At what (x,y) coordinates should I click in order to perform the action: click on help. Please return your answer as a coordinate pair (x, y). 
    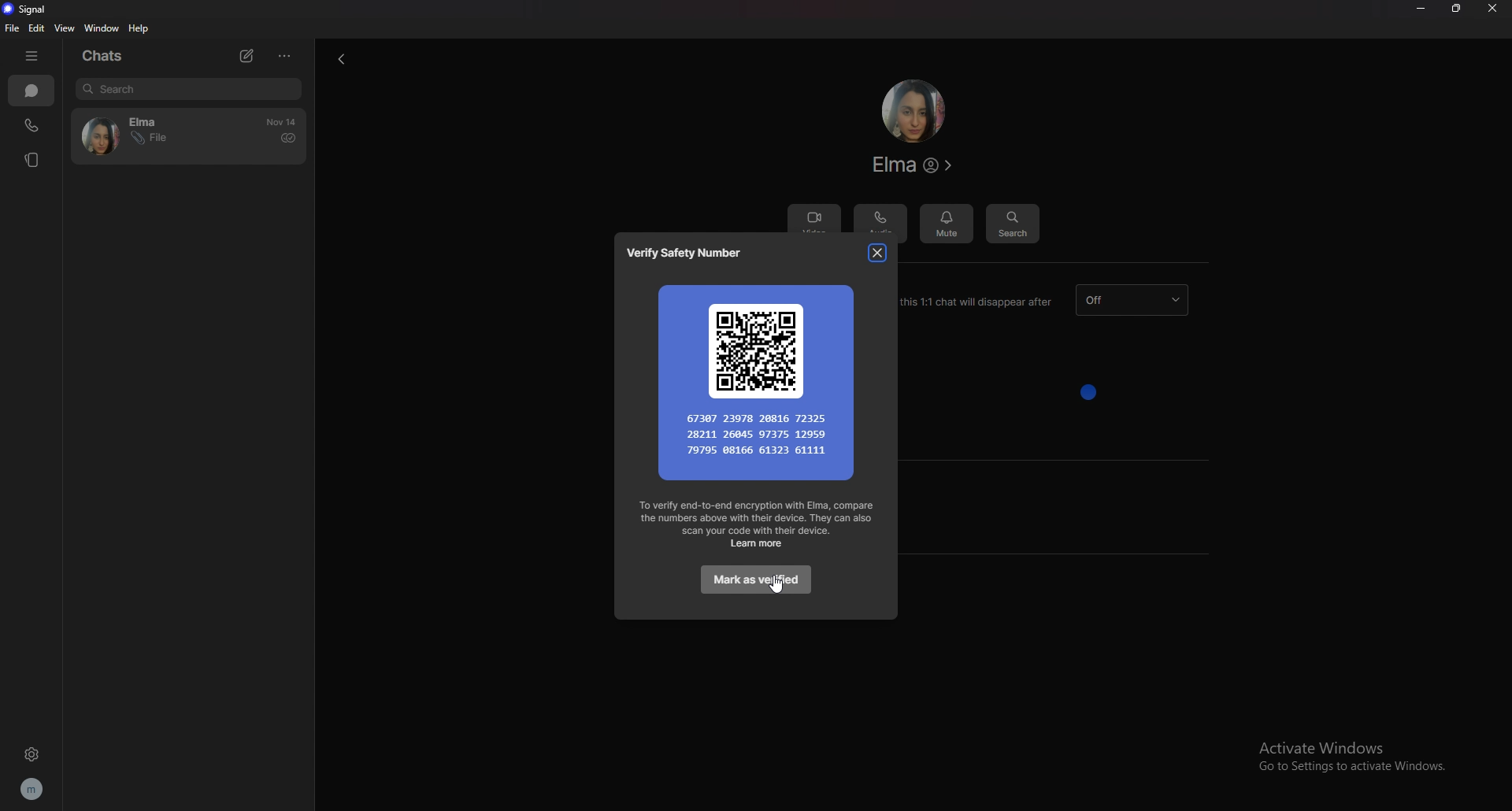
    Looking at the image, I should click on (140, 29).